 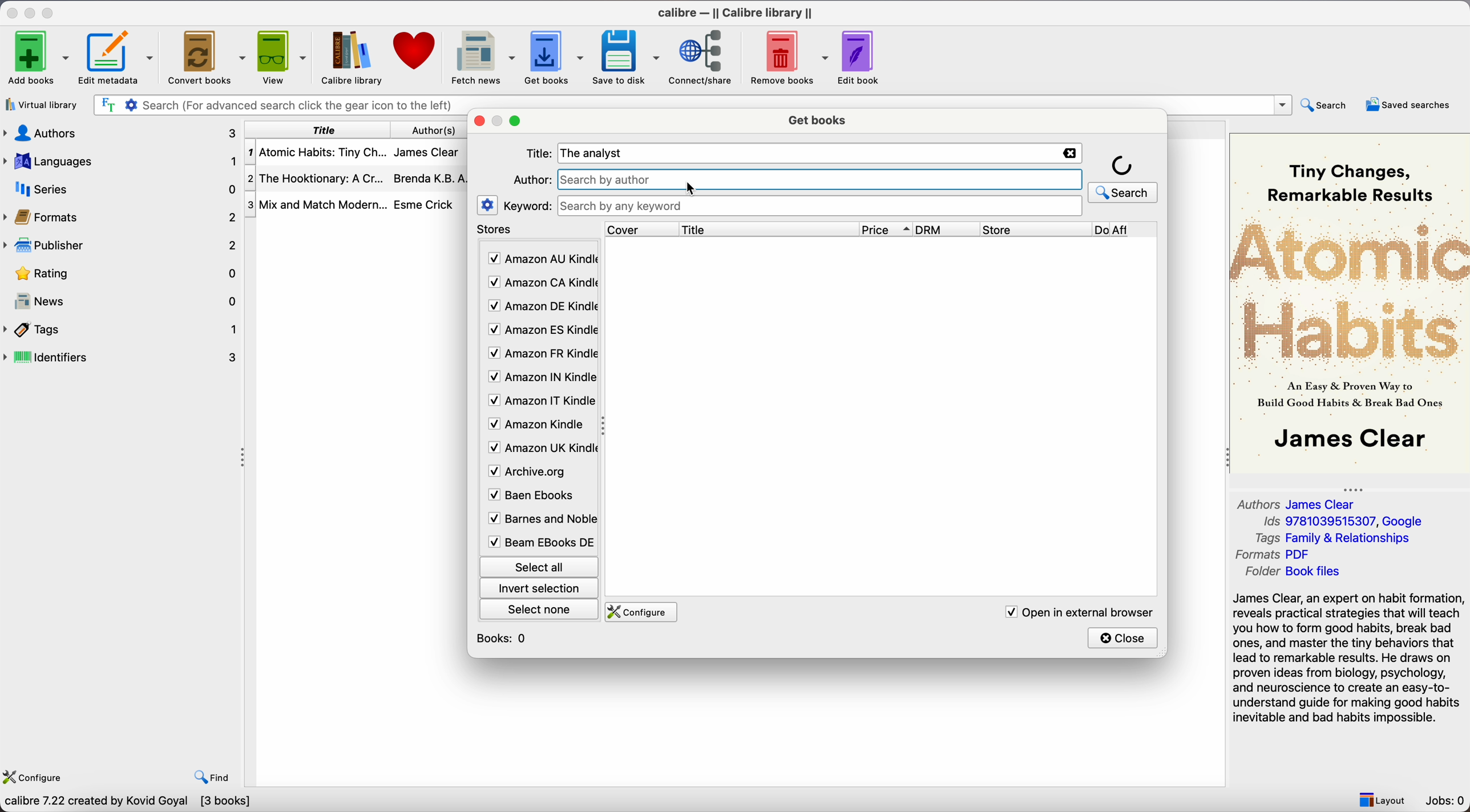 I want to click on loading icon, so click(x=1122, y=164).